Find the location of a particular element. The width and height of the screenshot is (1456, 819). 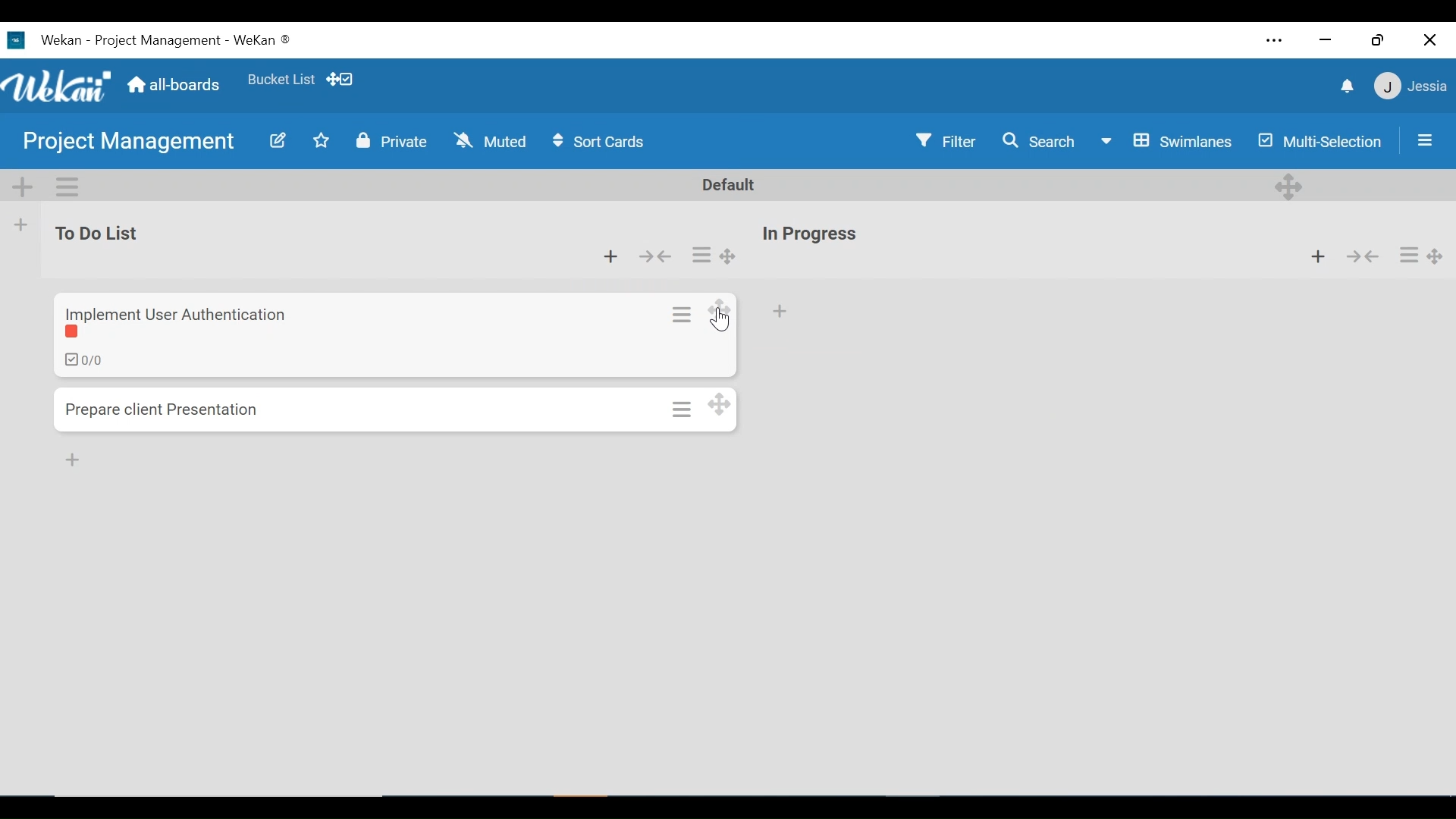

bucket list is located at coordinates (281, 80).